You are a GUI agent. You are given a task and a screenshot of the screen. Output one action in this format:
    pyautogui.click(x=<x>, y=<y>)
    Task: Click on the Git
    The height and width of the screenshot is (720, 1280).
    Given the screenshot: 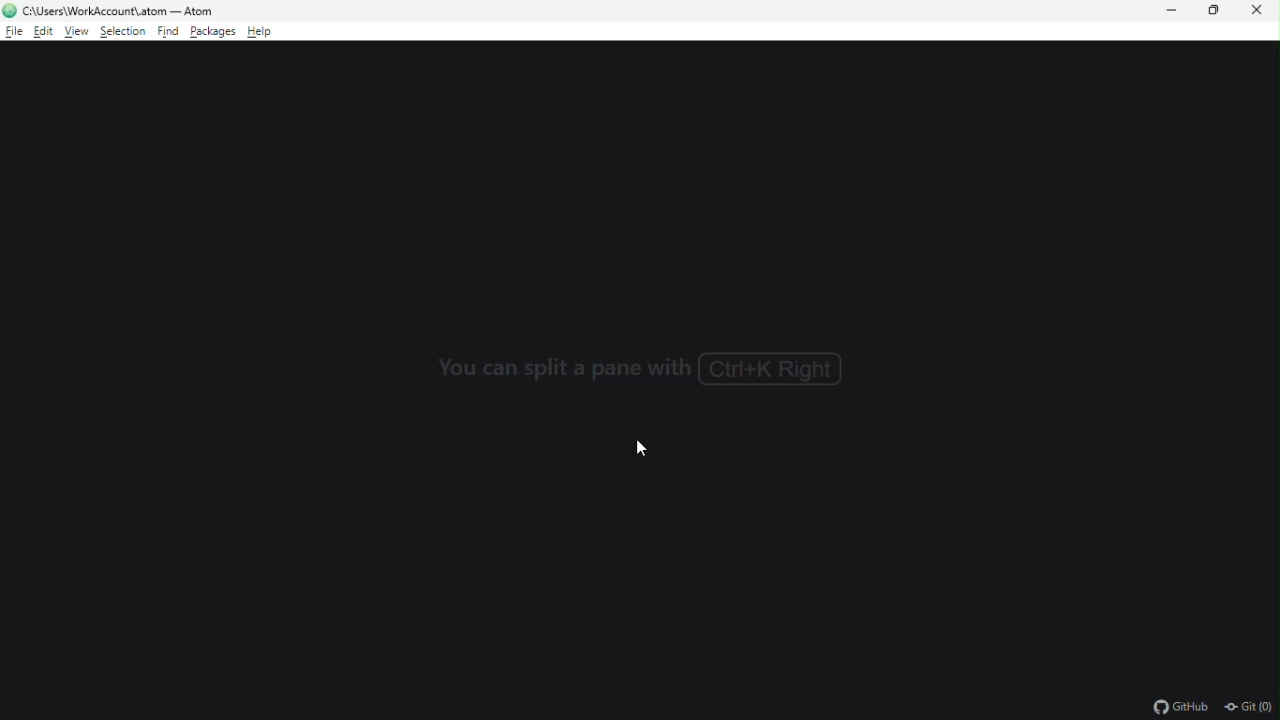 What is the action you would take?
    pyautogui.click(x=1250, y=707)
    